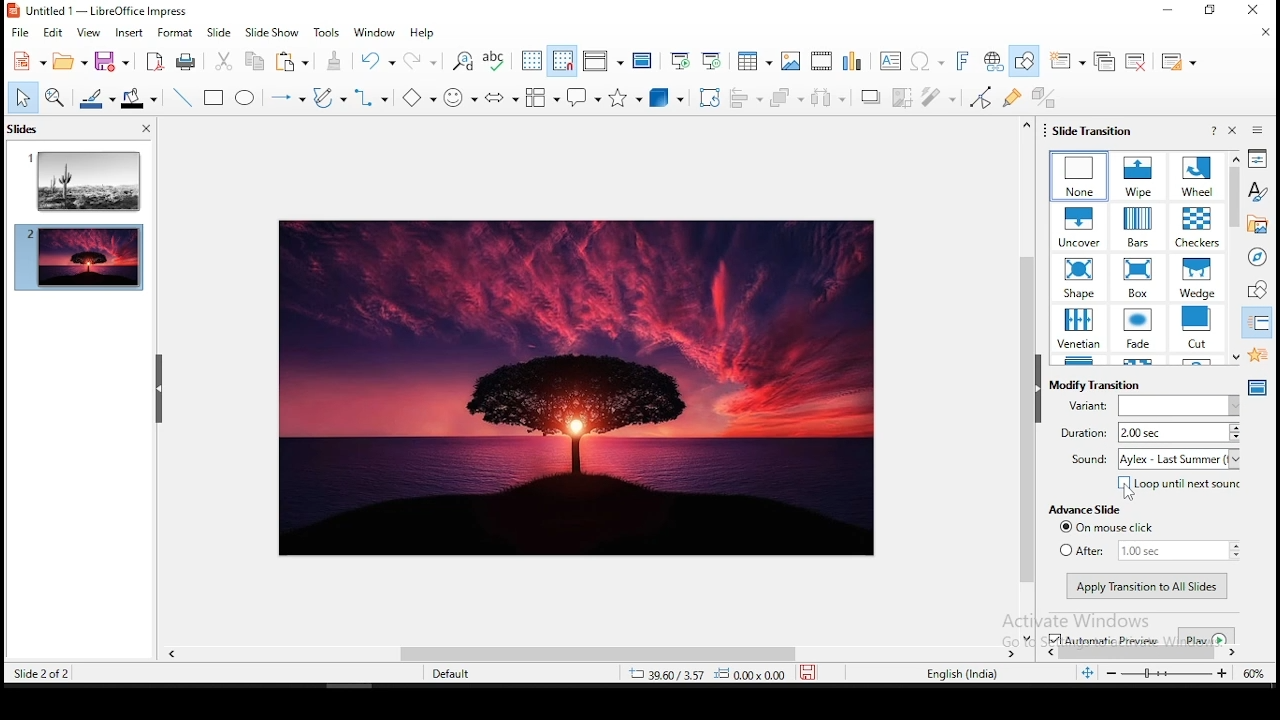 Image resolution: width=1280 pixels, height=720 pixels. Describe the element at coordinates (1195, 276) in the screenshot. I see `transition effects` at that location.